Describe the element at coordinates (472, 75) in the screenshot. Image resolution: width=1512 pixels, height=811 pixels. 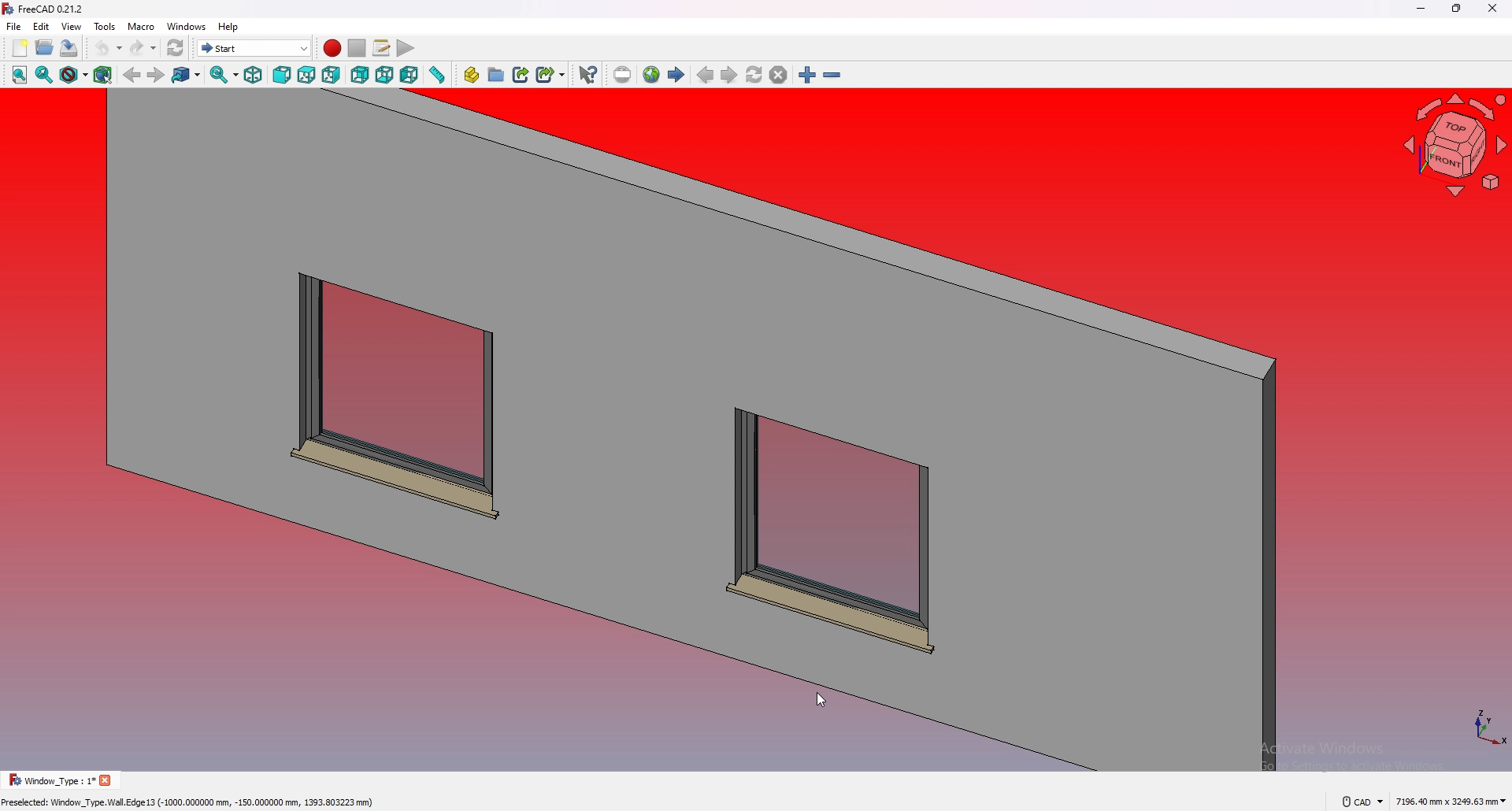
I see `create part` at that location.